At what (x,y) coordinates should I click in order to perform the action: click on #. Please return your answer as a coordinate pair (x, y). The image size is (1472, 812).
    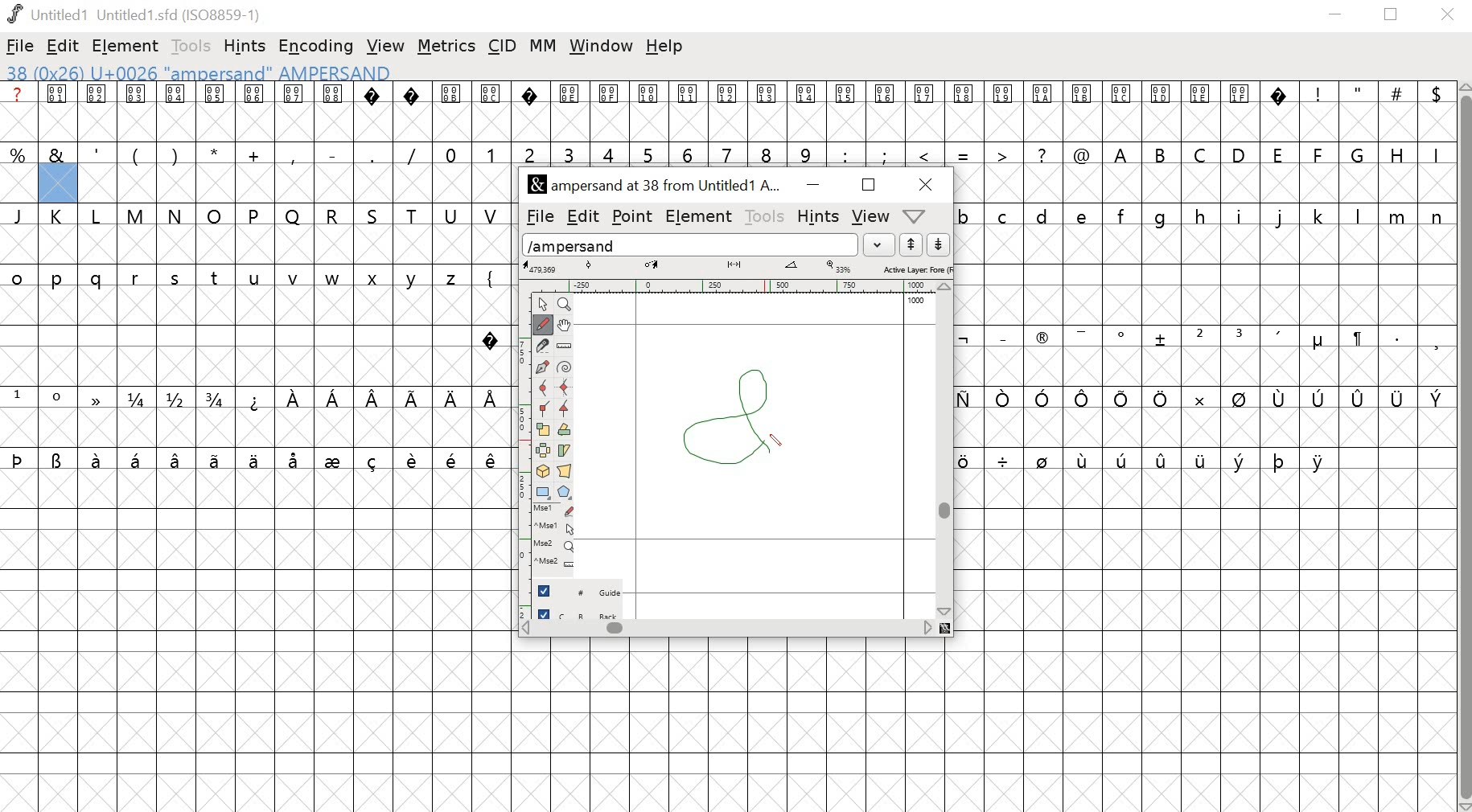
    Looking at the image, I should click on (1397, 113).